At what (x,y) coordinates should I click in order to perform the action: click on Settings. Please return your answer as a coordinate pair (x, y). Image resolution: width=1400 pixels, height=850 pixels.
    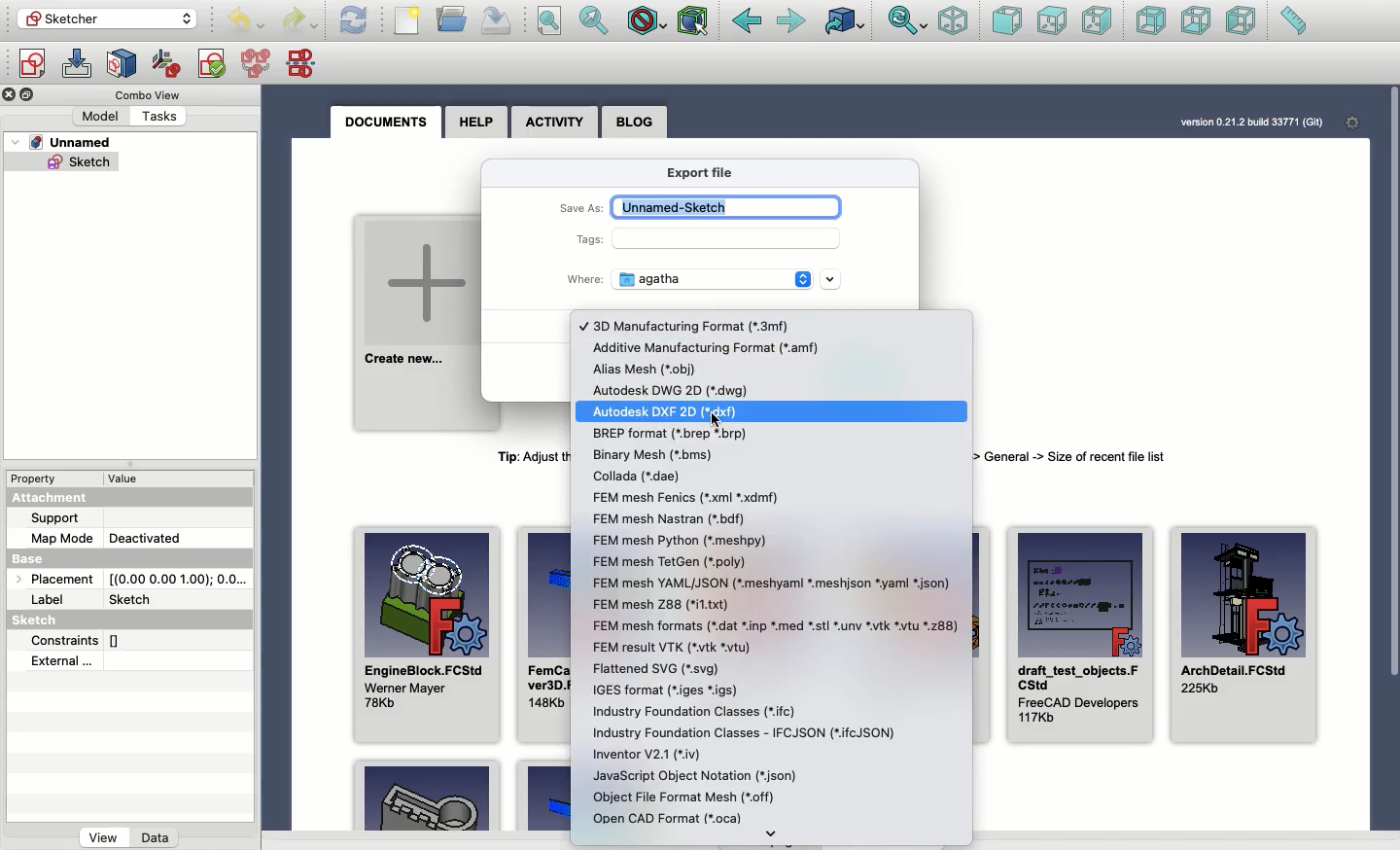
    Looking at the image, I should click on (1352, 124).